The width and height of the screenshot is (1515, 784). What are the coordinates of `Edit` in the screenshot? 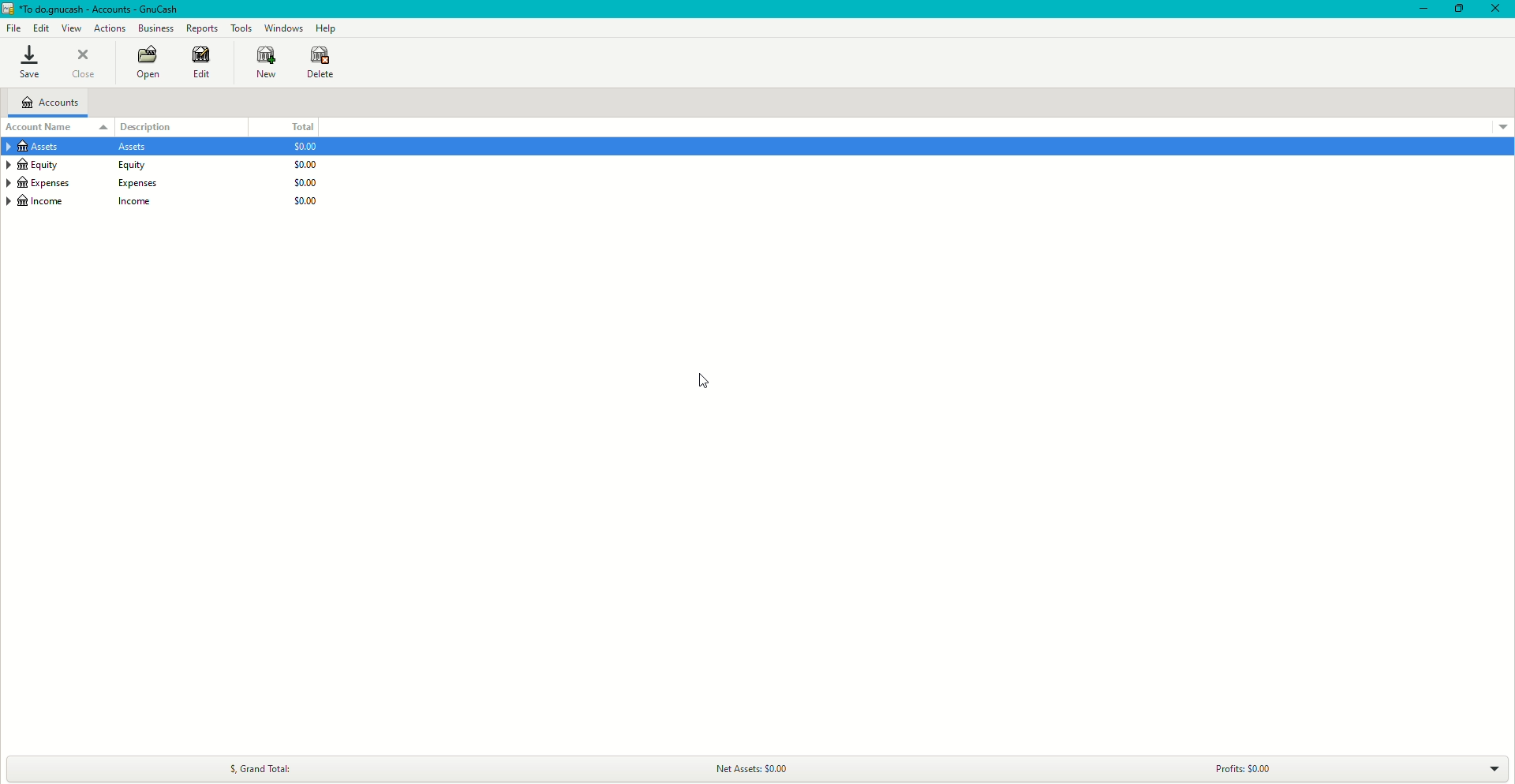 It's located at (41, 28).